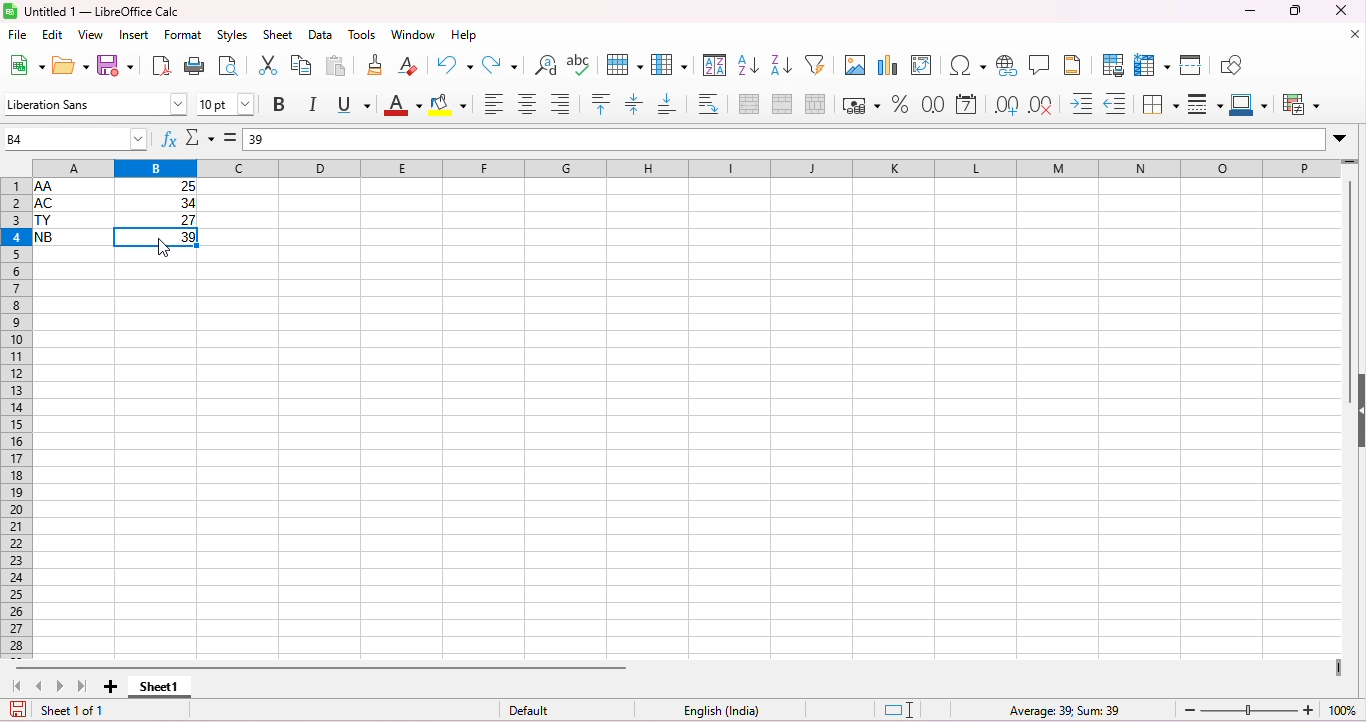 This screenshot has height=722, width=1366. What do you see at coordinates (704, 103) in the screenshot?
I see `wrap` at bounding box center [704, 103].